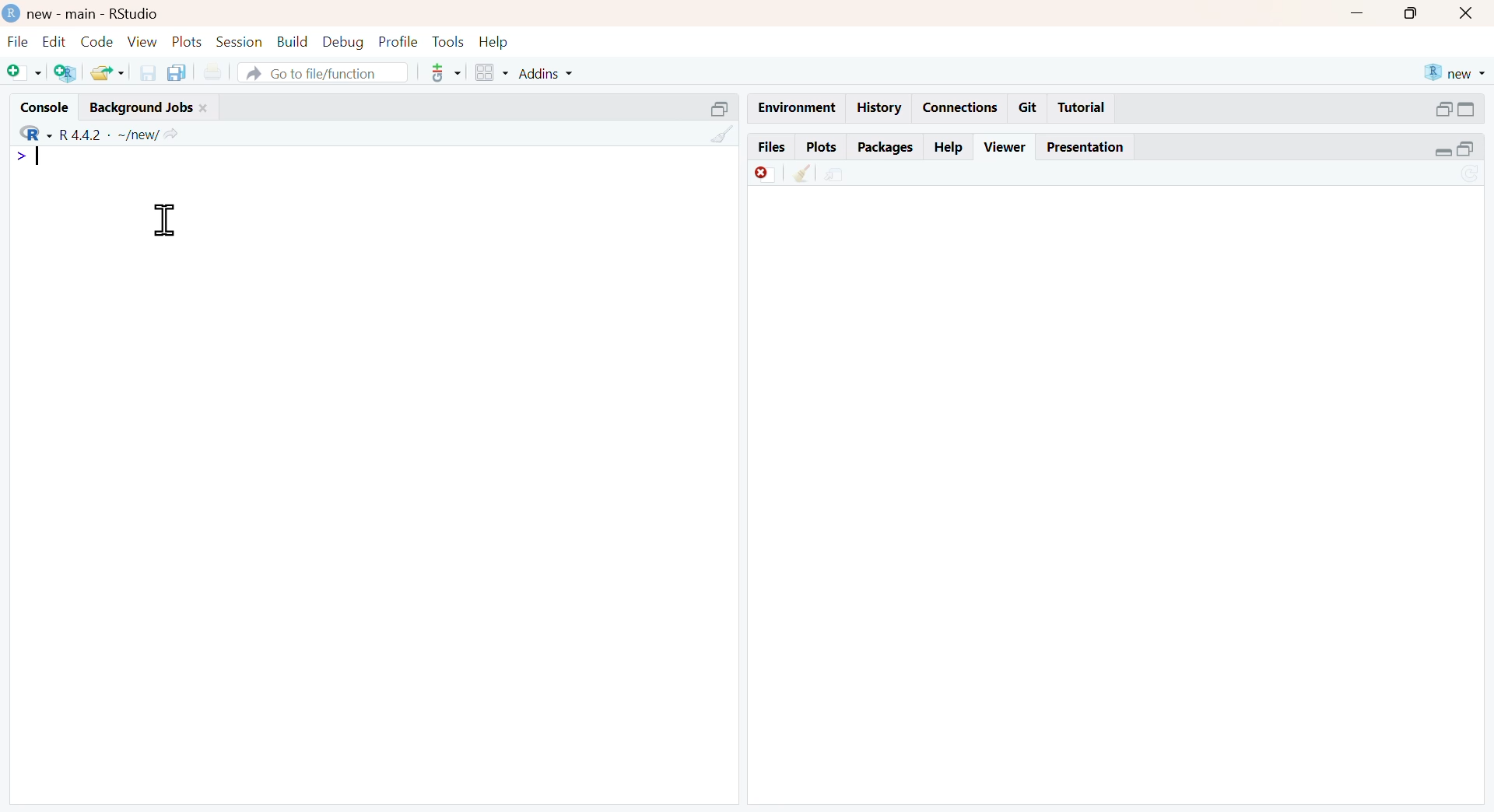 This screenshot has width=1494, height=812. What do you see at coordinates (93, 13) in the screenshot?
I see `D new - main - RStudio` at bounding box center [93, 13].